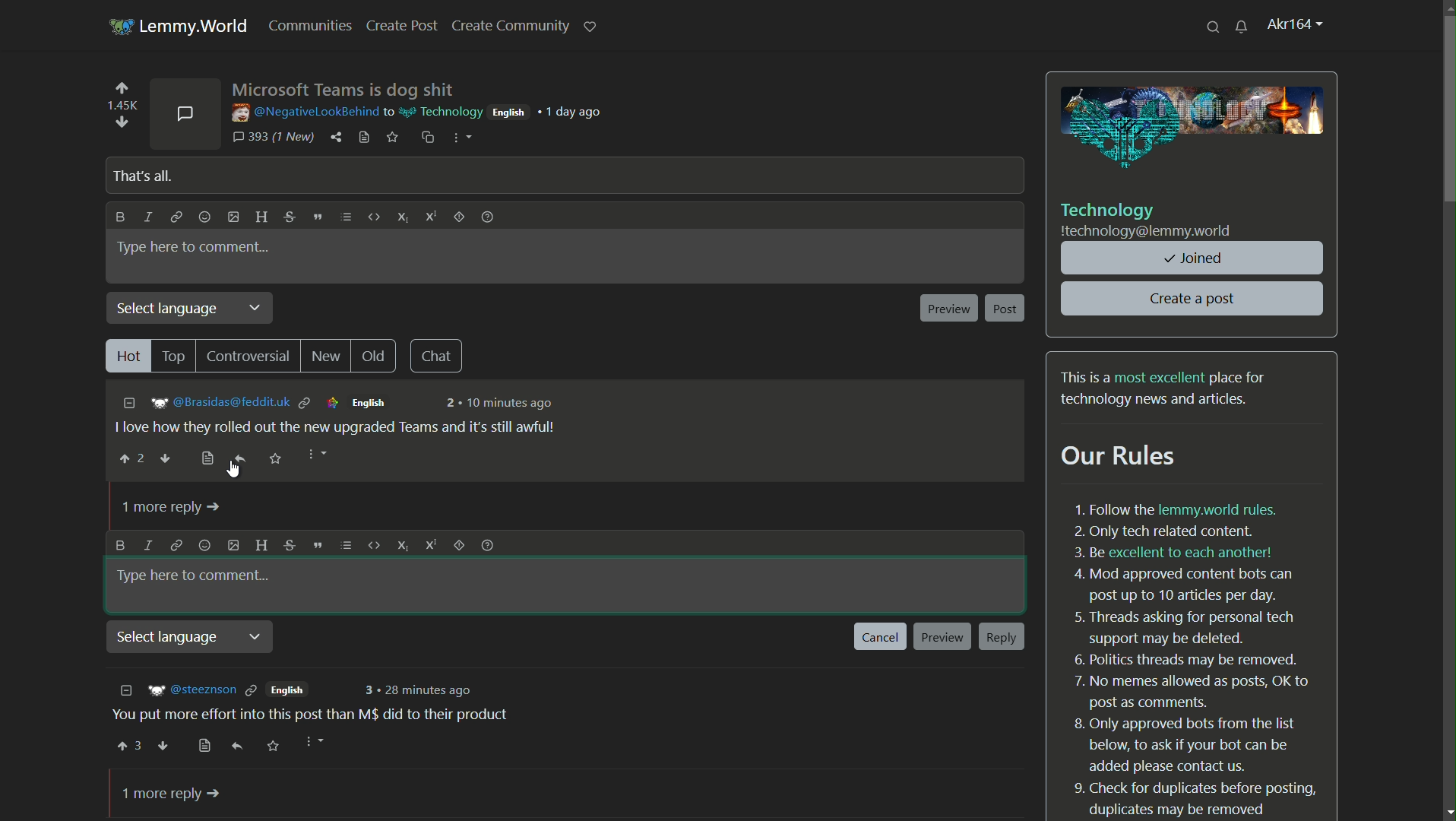  I want to click on our rules, so click(1120, 457).